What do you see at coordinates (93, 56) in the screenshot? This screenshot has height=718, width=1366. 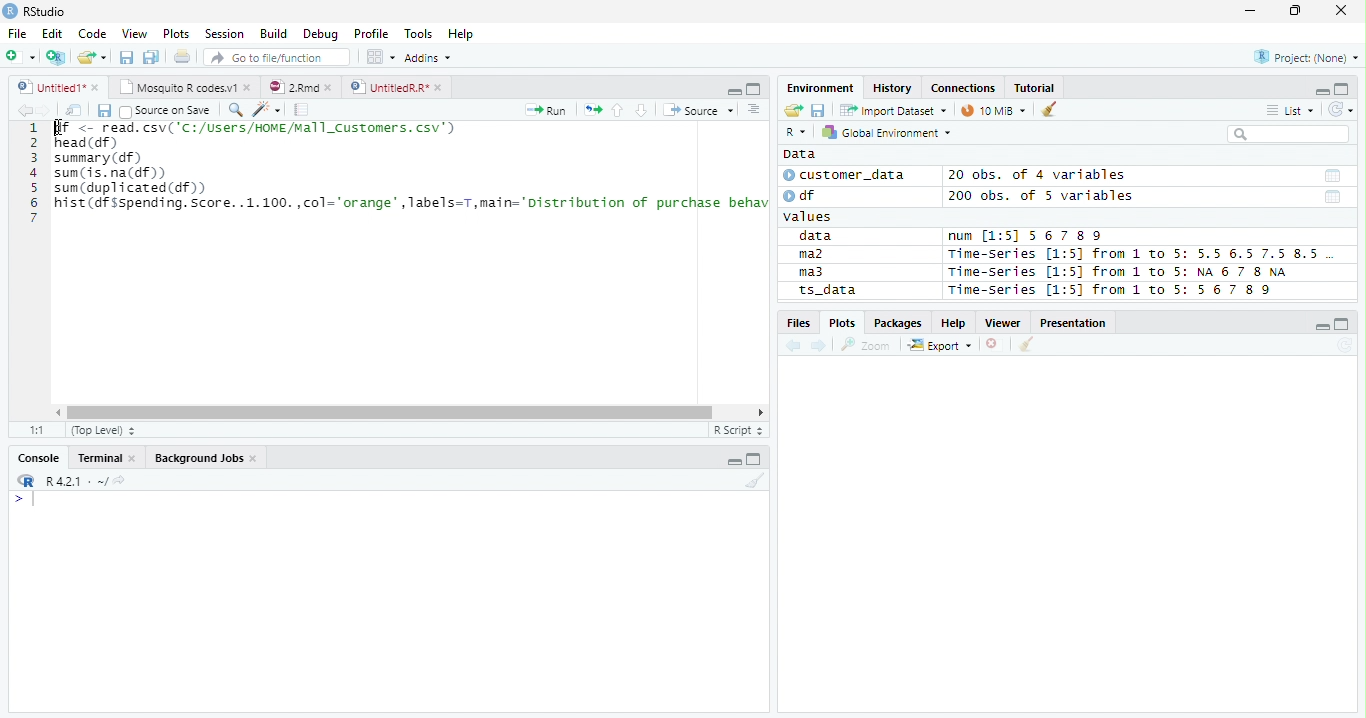 I see `Open Folder` at bounding box center [93, 56].